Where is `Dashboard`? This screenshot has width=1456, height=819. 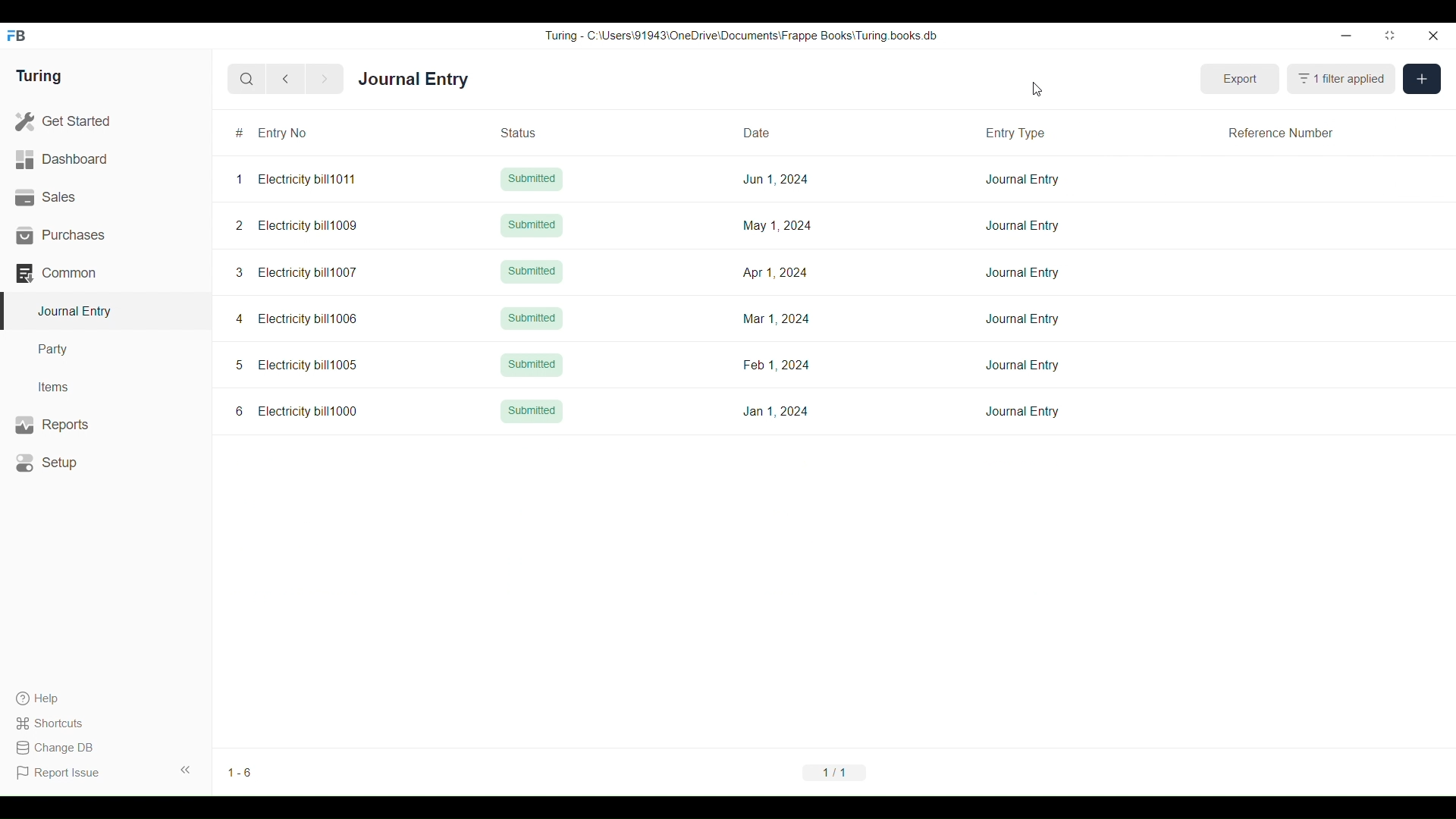
Dashboard is located at coordinates (105, 159).